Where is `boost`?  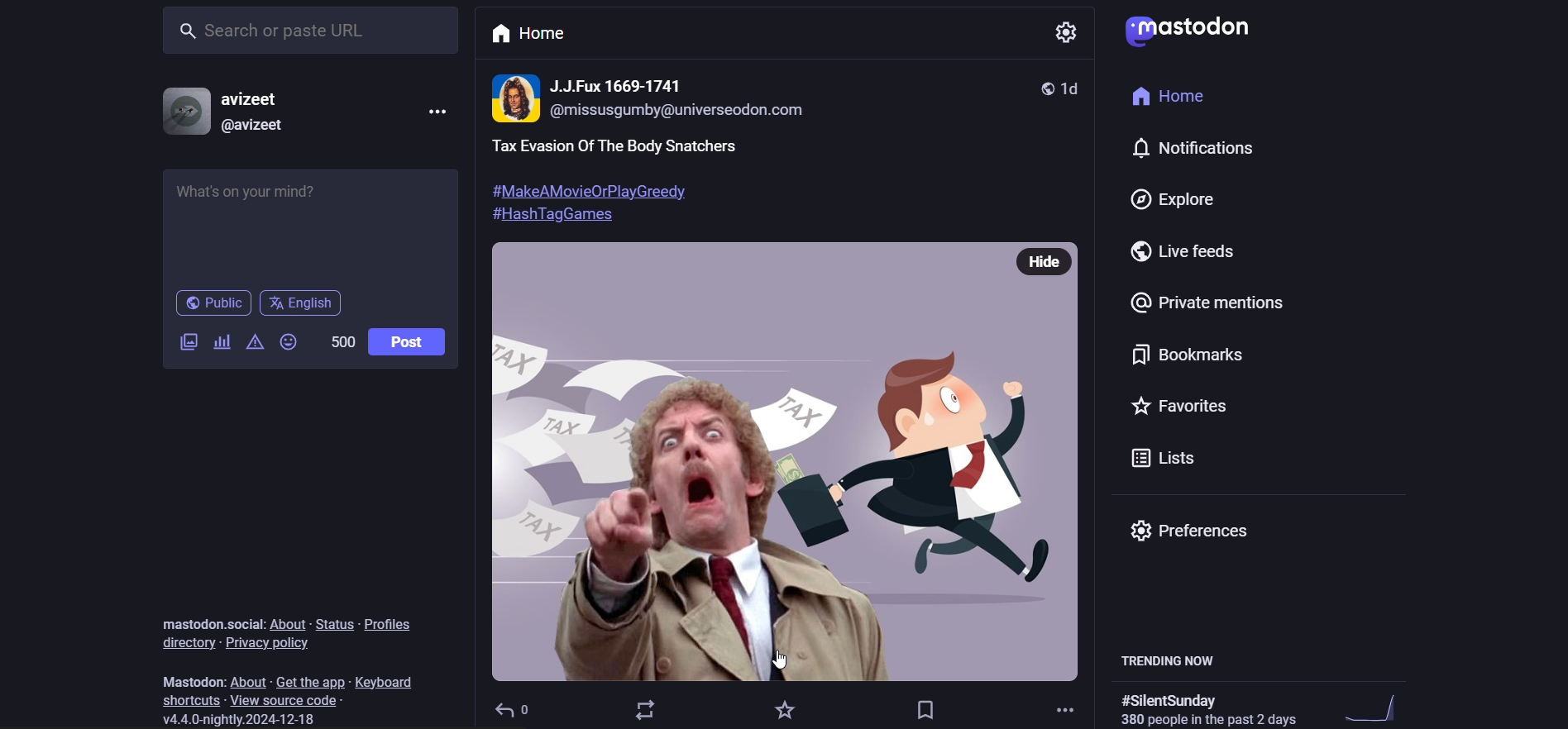
boost is located at coordinates (643, 712).